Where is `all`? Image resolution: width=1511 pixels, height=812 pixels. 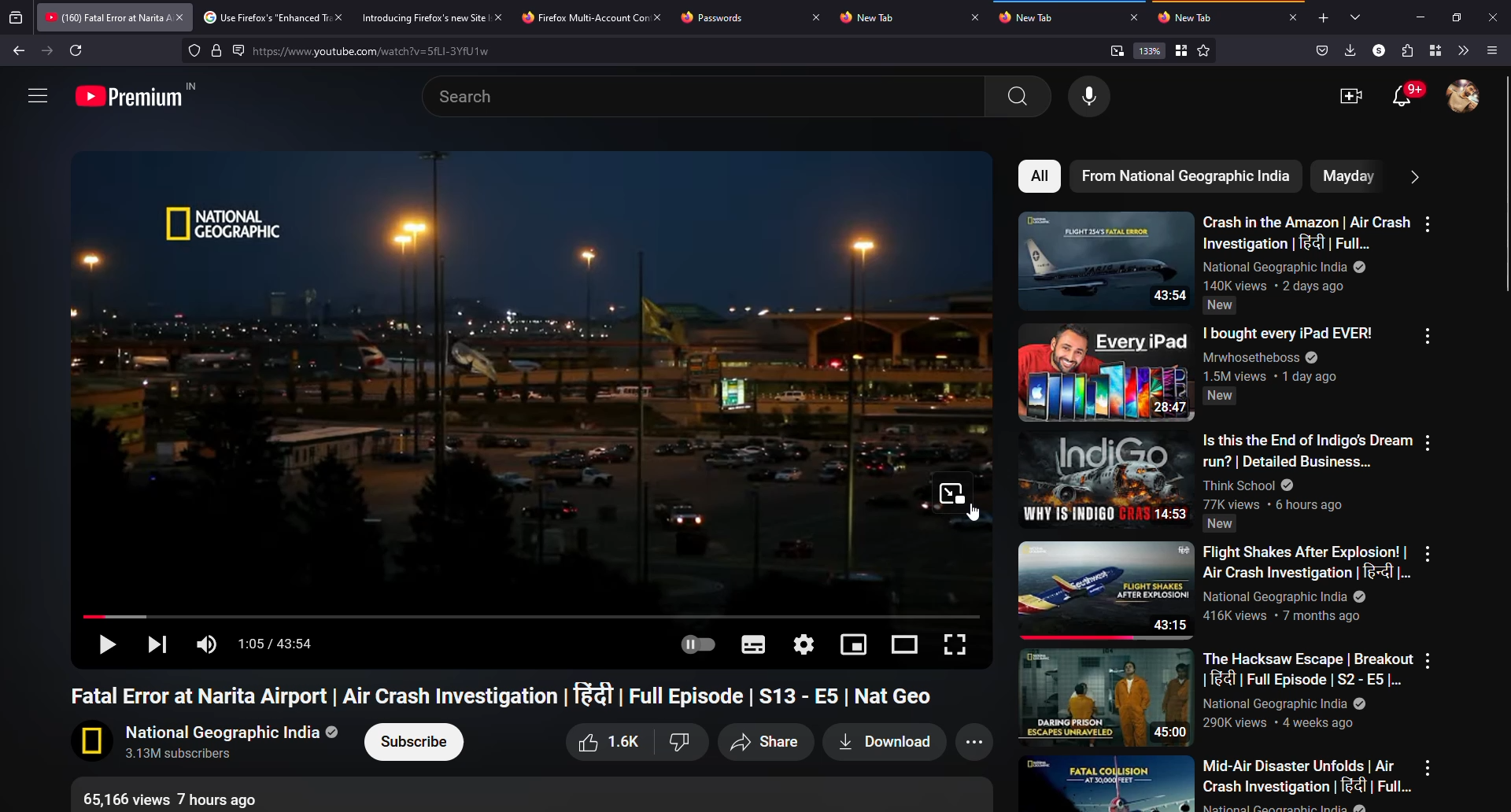
all is located at coordinates (1041, 176).